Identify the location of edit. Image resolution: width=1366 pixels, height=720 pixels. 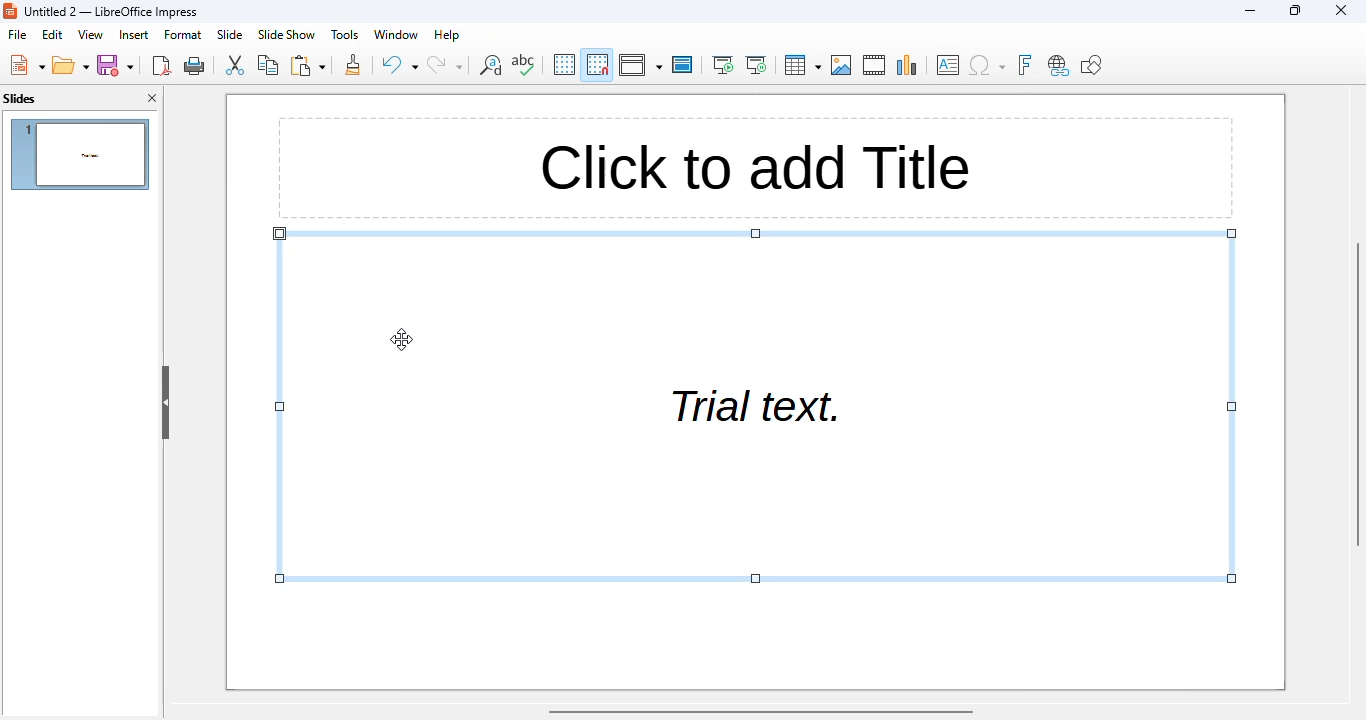
(52, 35).